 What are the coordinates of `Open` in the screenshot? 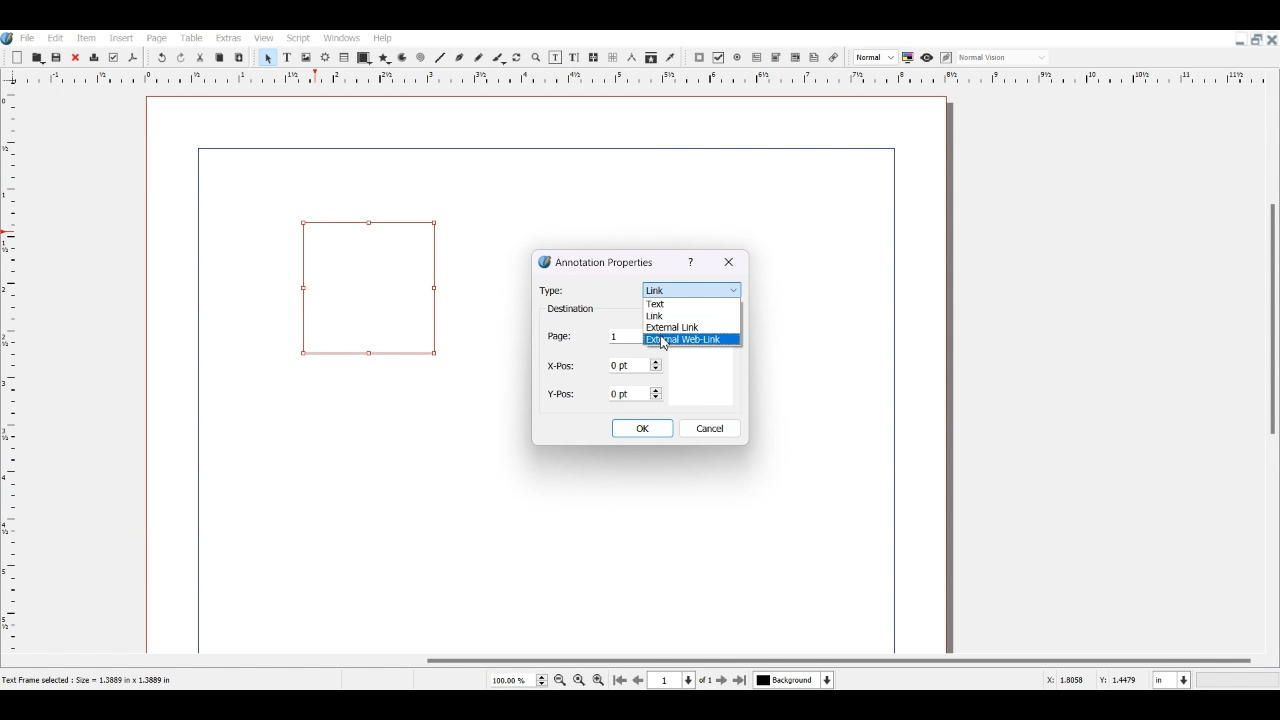 It's located at (39, 57).